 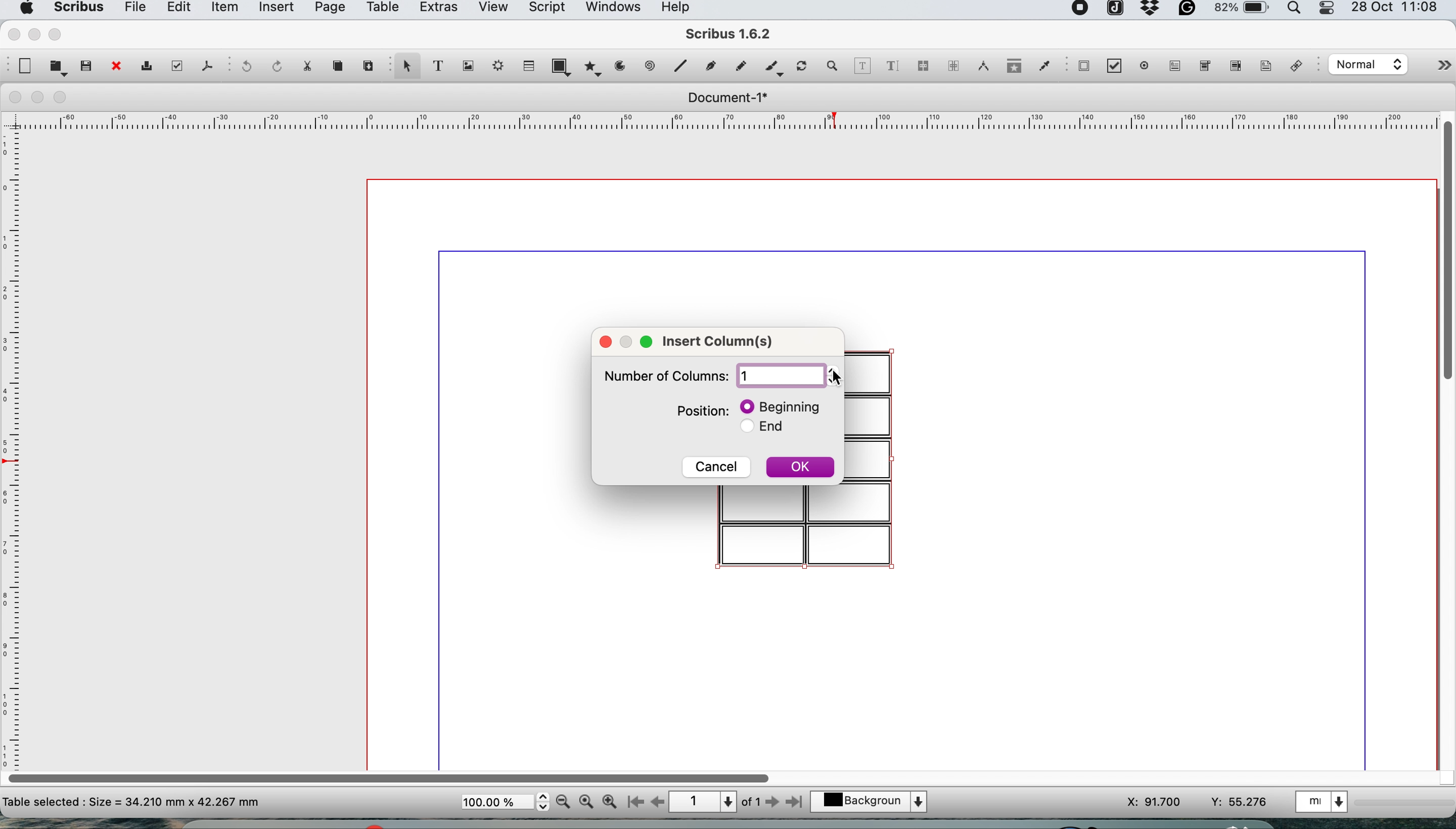 I want to click on eyedropper, so click(x=1044, y=68).